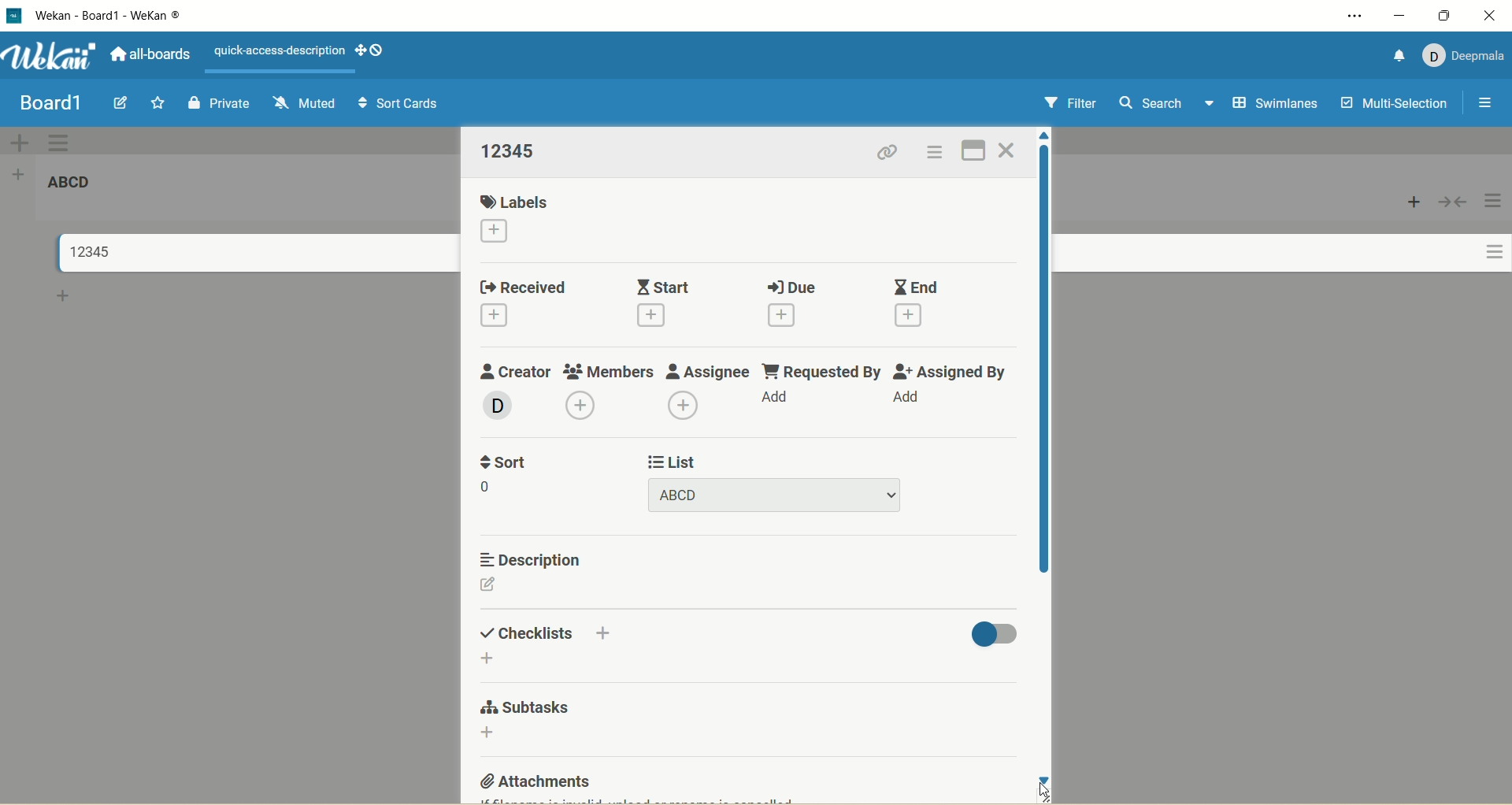 The width and height of the screenshot is (1512, 805). What do you see at coordinates (1067, 105) in the screenshot?
I see `filter` at bounding box center [1067, 105].